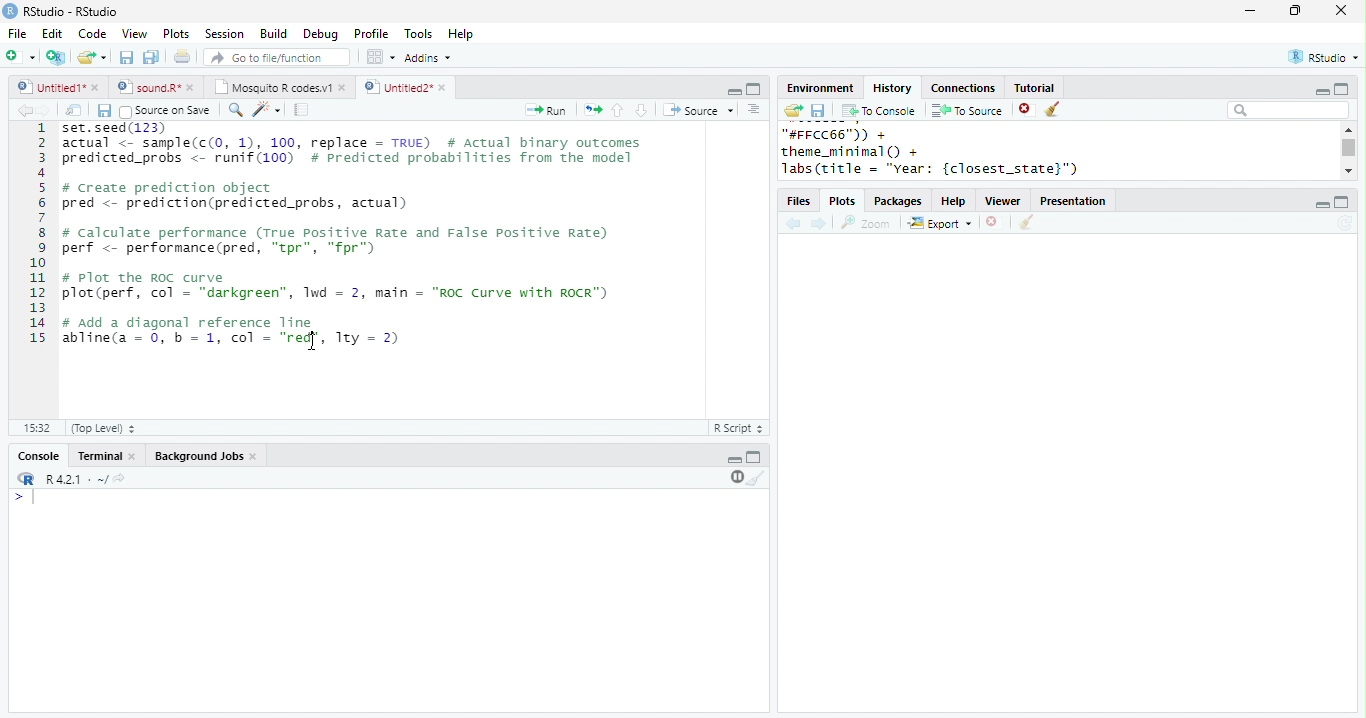 The width and height of the screenshot is (1366, 718). Describe the element at coordinates (97, 87) in the screenshot. I see `close` at that location.